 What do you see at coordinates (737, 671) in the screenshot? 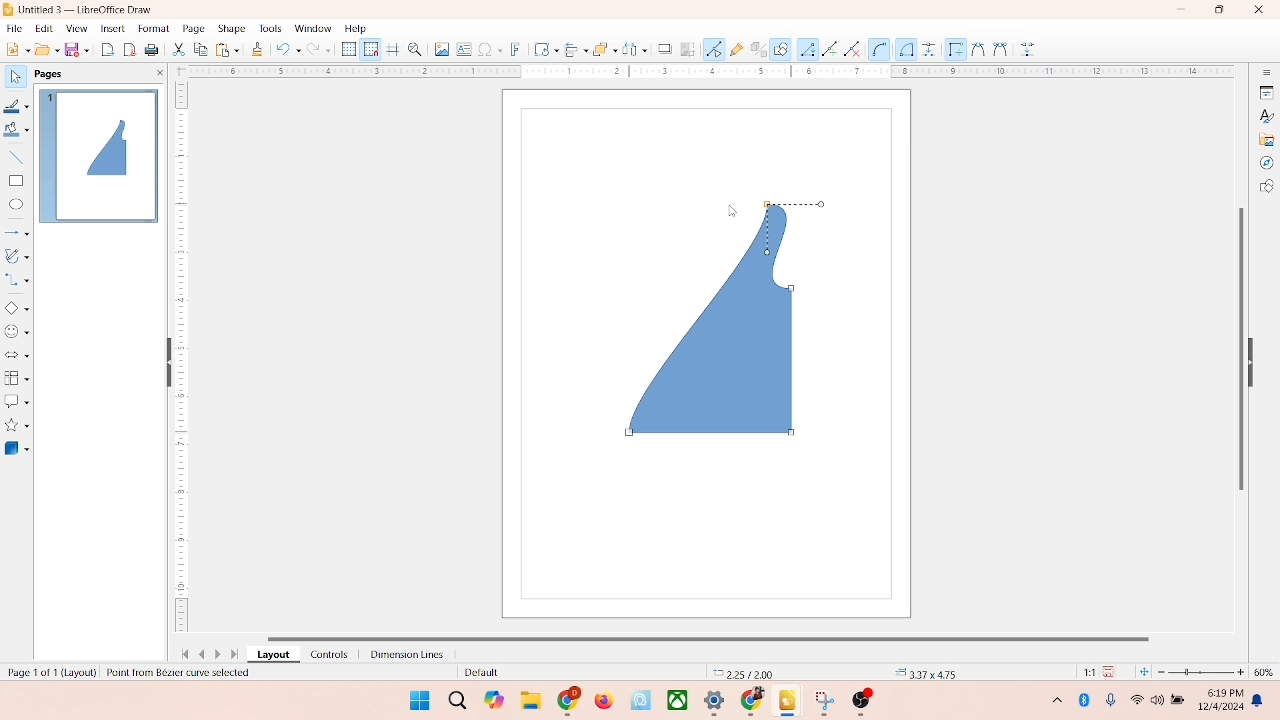
I see `coordinates` at bounding box center [737, 671].